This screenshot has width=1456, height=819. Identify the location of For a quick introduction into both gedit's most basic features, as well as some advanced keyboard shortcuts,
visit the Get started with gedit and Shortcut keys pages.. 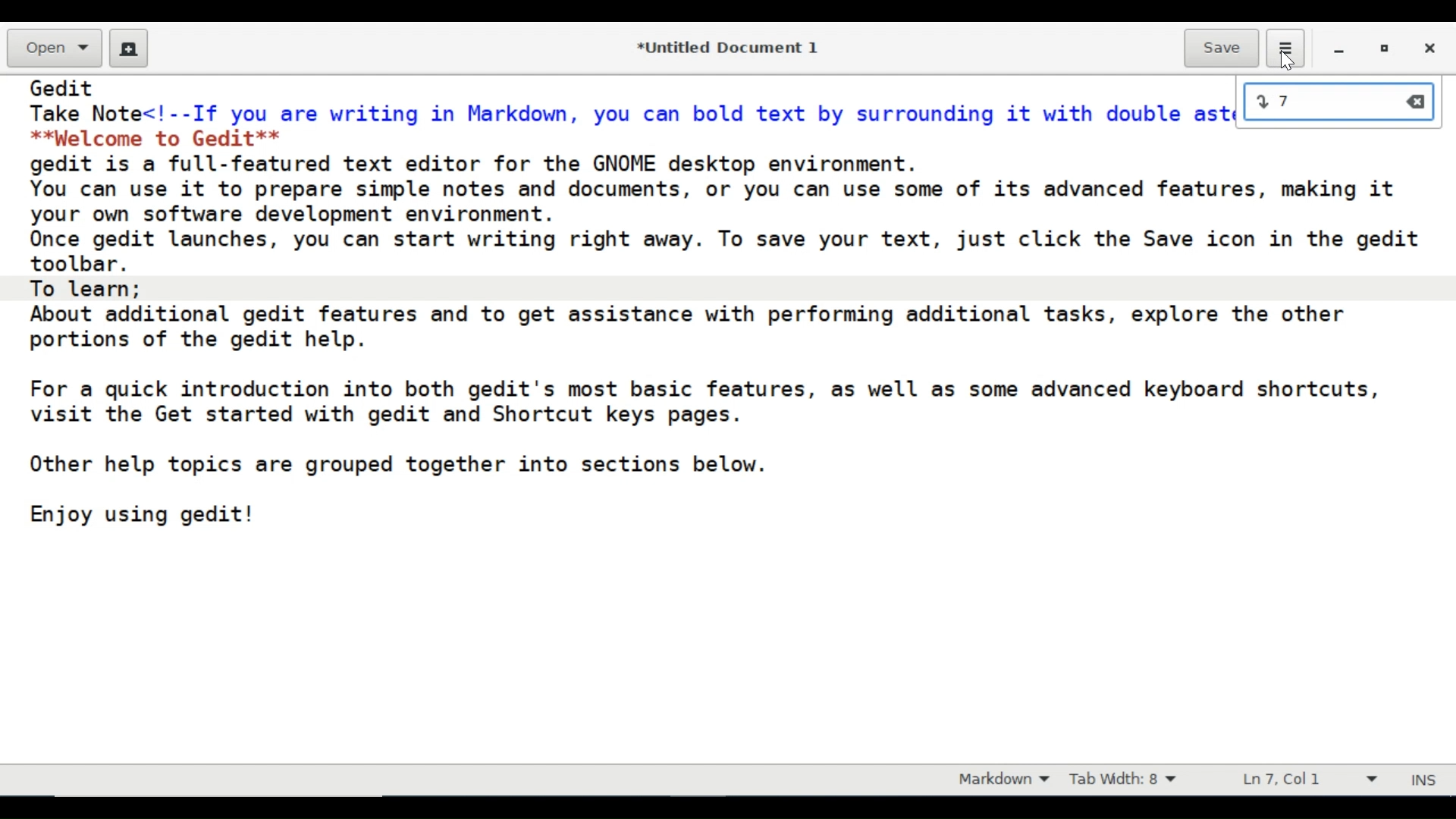
(705, 402).